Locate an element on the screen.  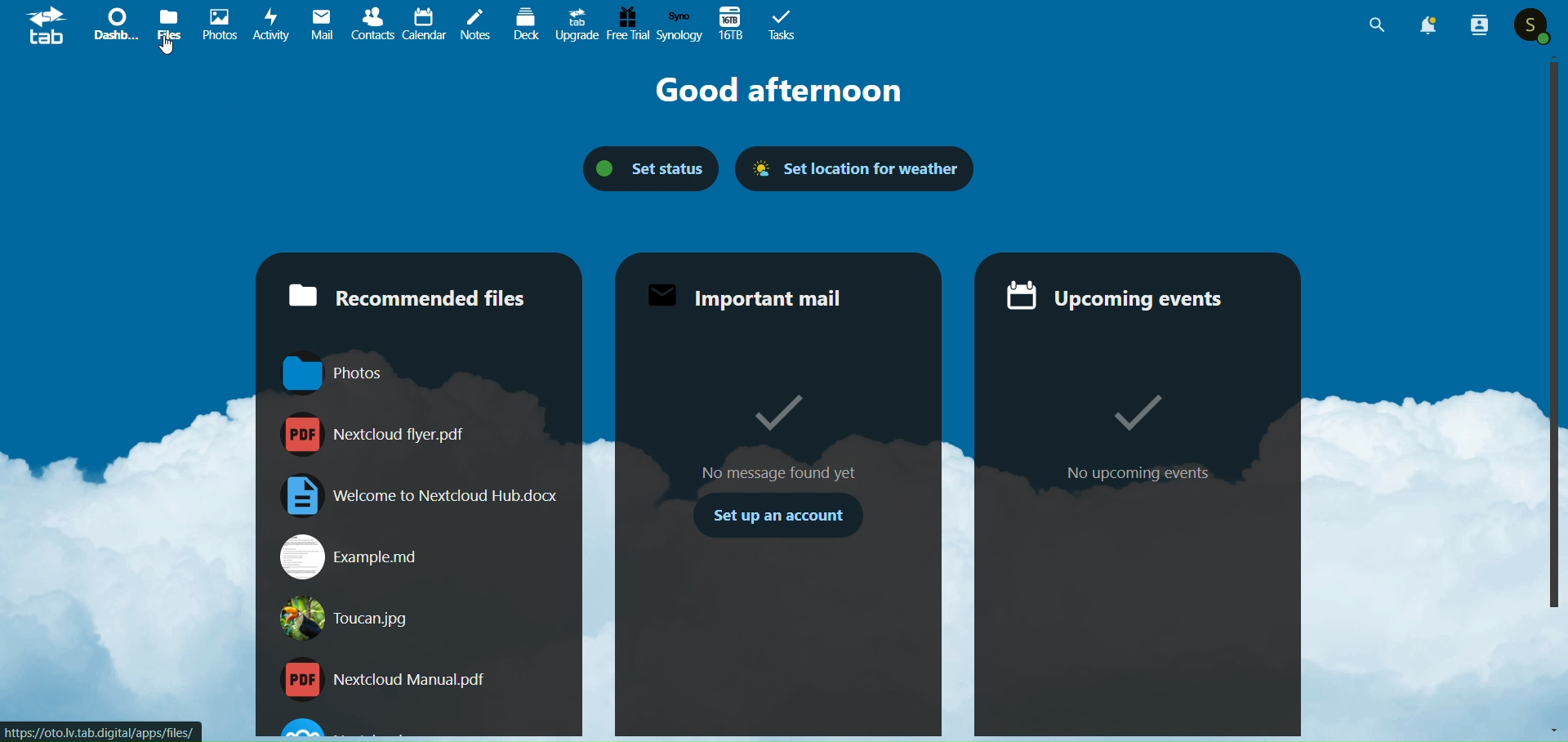
important mail is located at coordinates (769, 296).